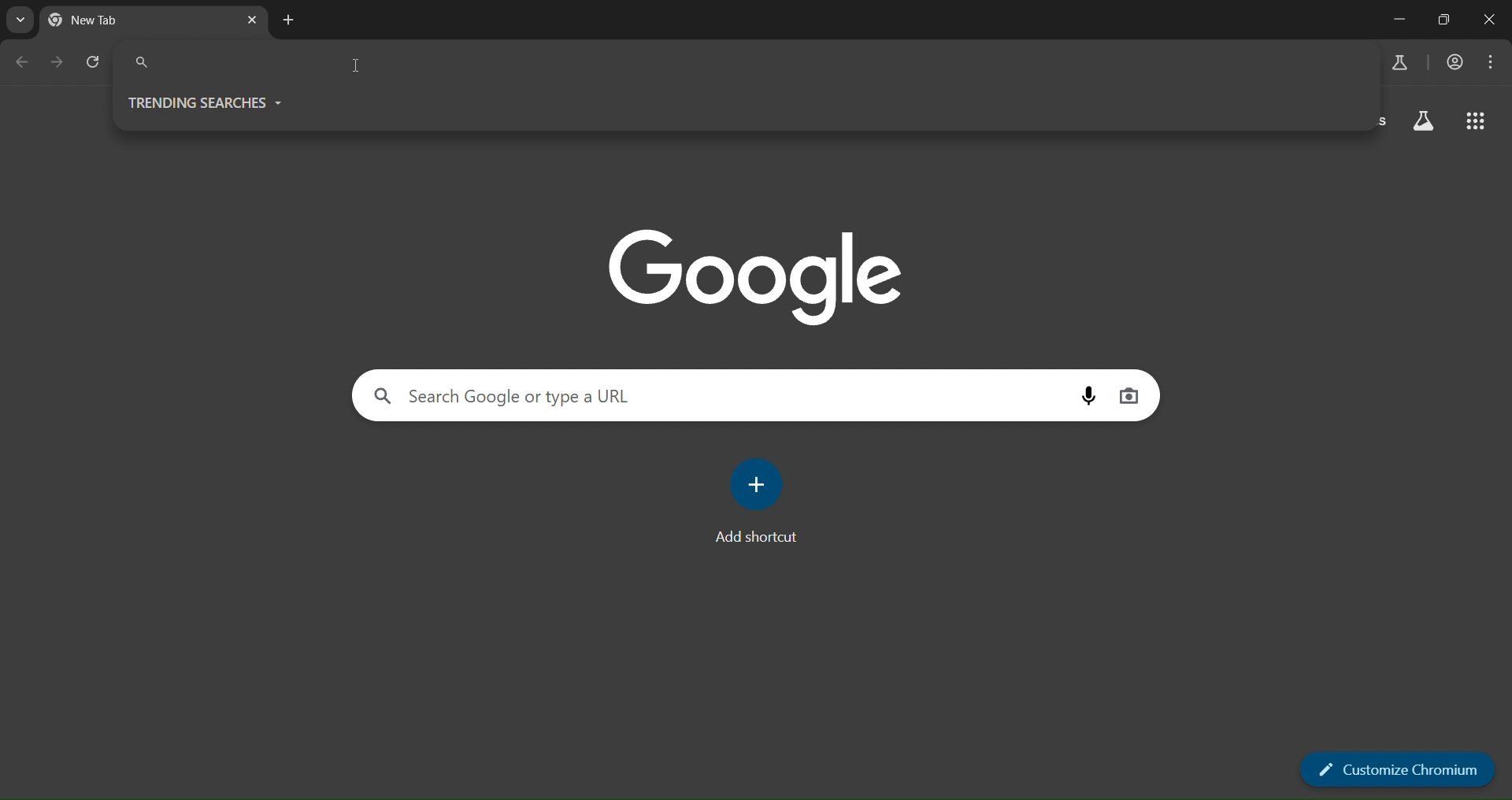  What do you see at coordinates (113, 17) in the screenshot?
I see `current tab` at bounding box center [113, 17].